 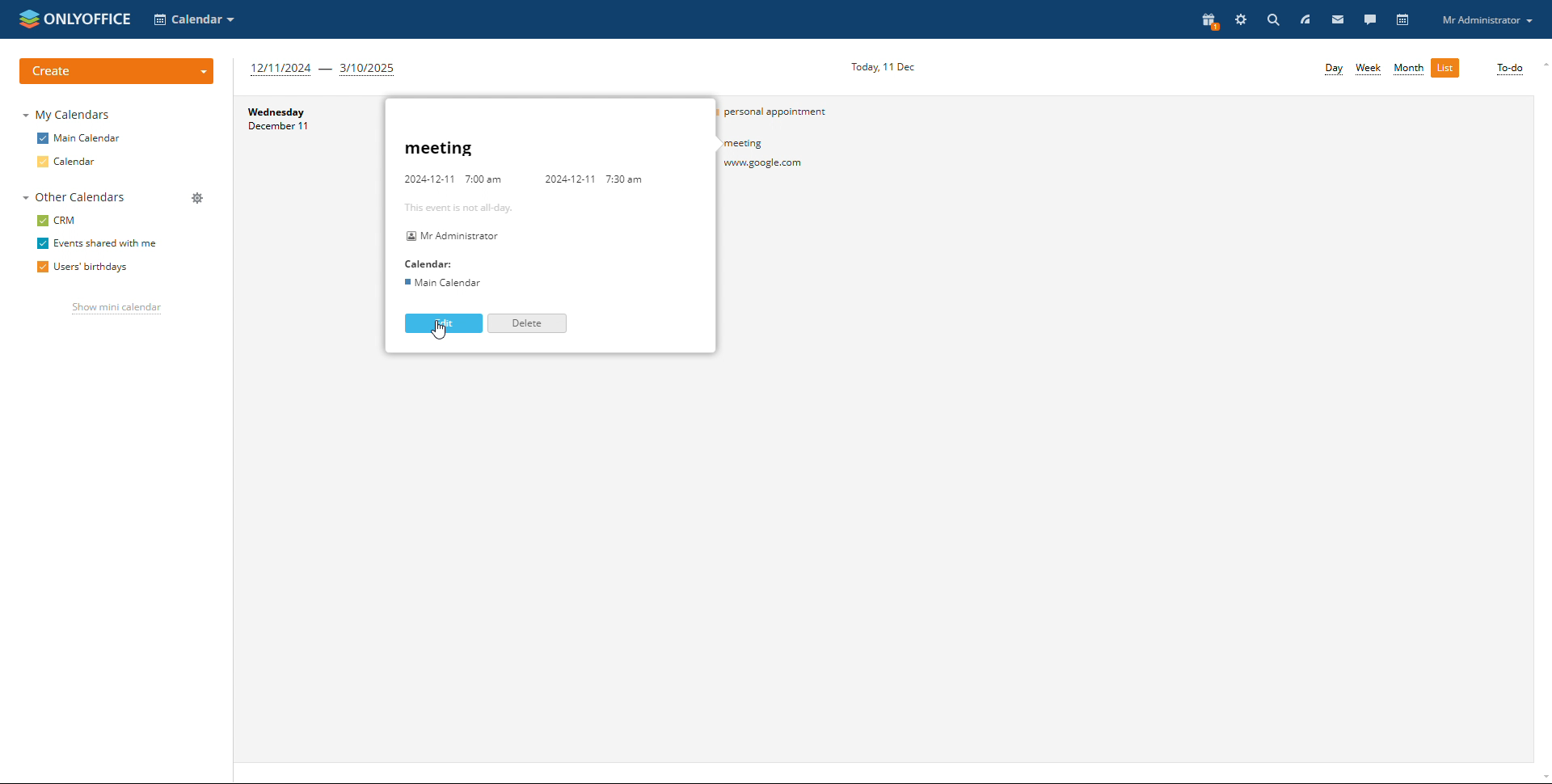 What do you see at coordinates (1271, 20) in the screenshot?
I see `search` at bounding box center [1271, 20].